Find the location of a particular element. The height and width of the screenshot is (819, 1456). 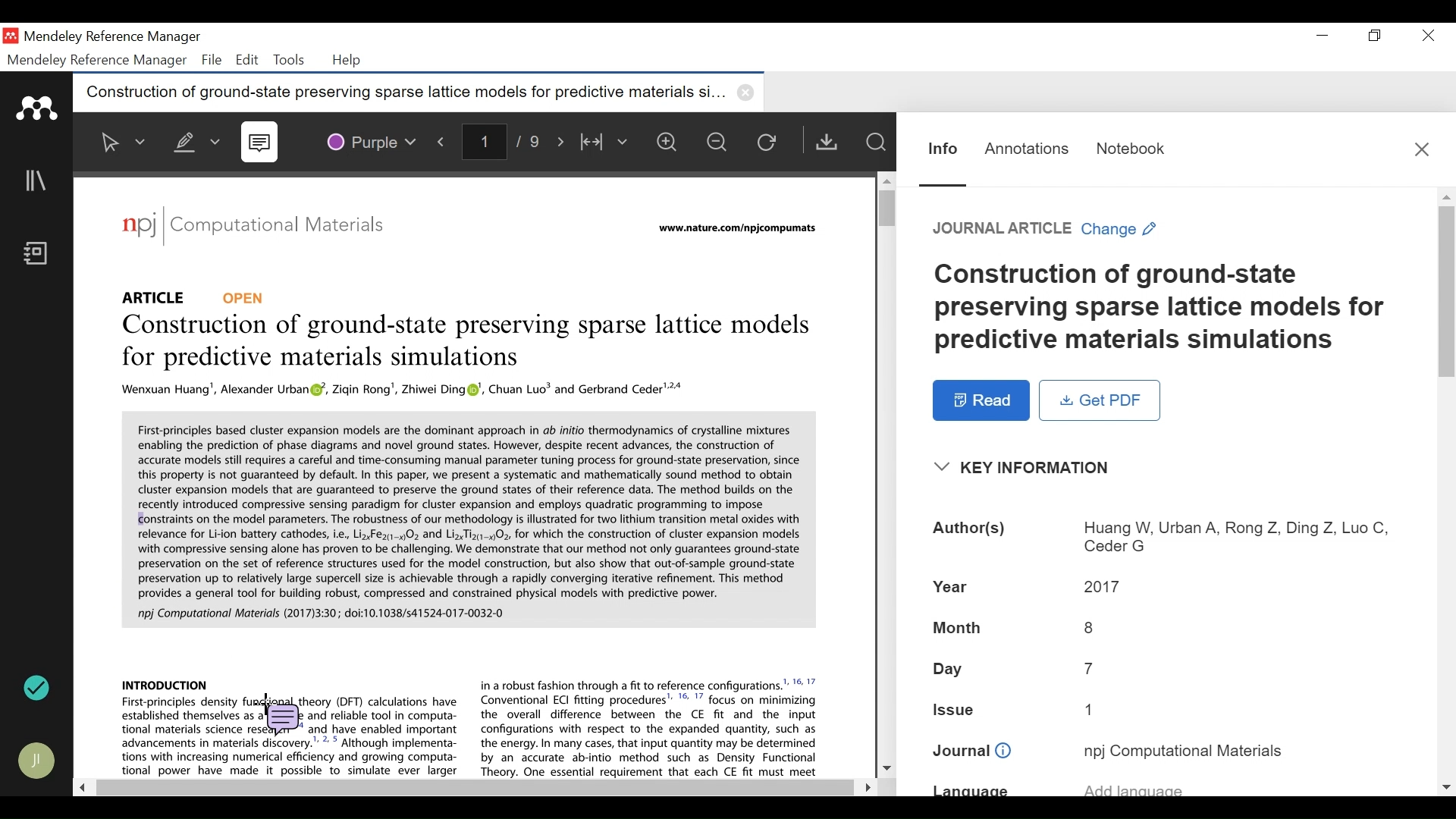

Language is located at coordinates (1164, 789).